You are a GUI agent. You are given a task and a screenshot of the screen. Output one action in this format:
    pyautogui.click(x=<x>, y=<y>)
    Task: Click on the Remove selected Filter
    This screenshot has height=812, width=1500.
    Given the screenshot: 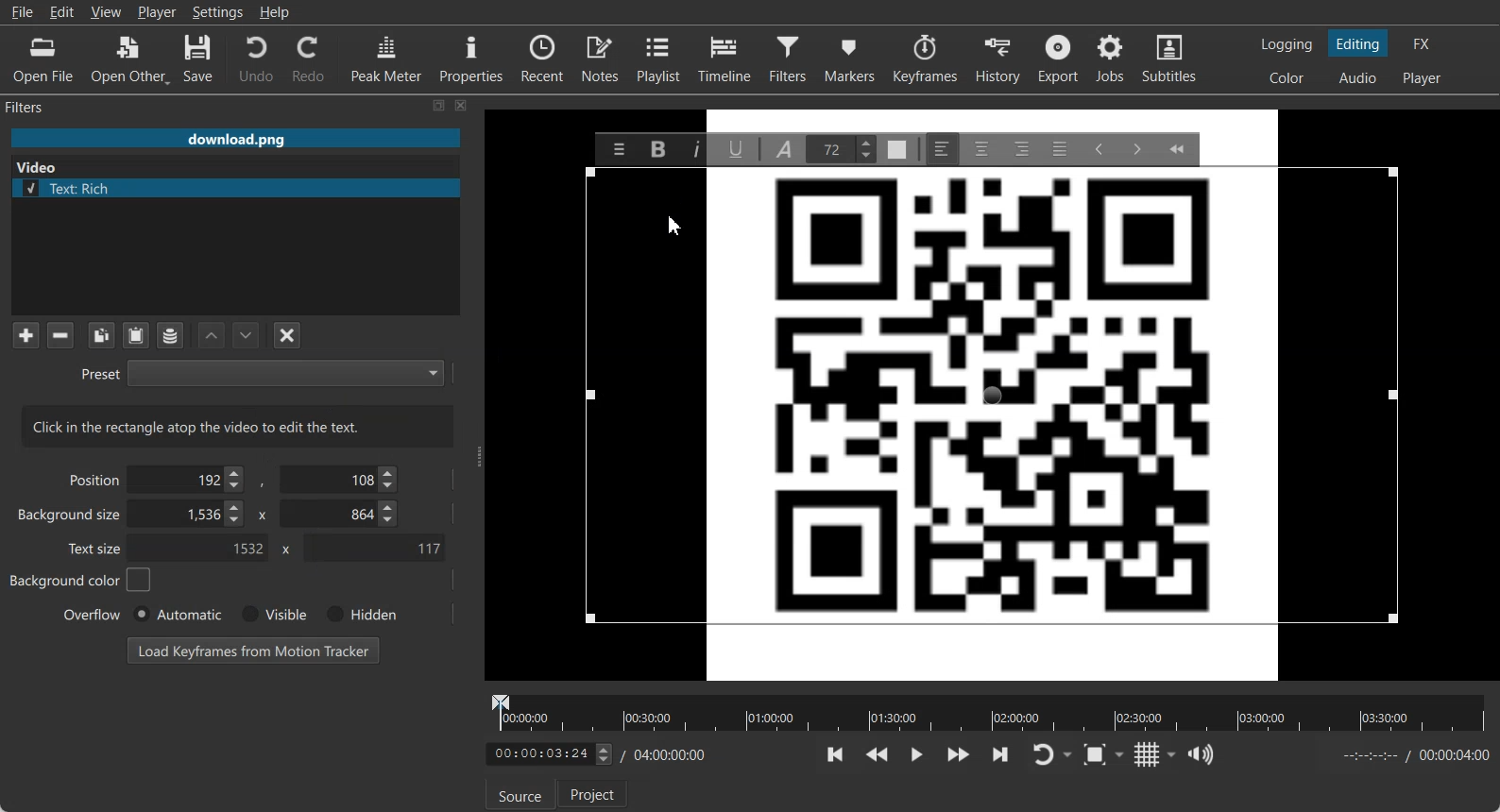 What is the action you would take?
    pyautogui.click(x=60, y=334)
    